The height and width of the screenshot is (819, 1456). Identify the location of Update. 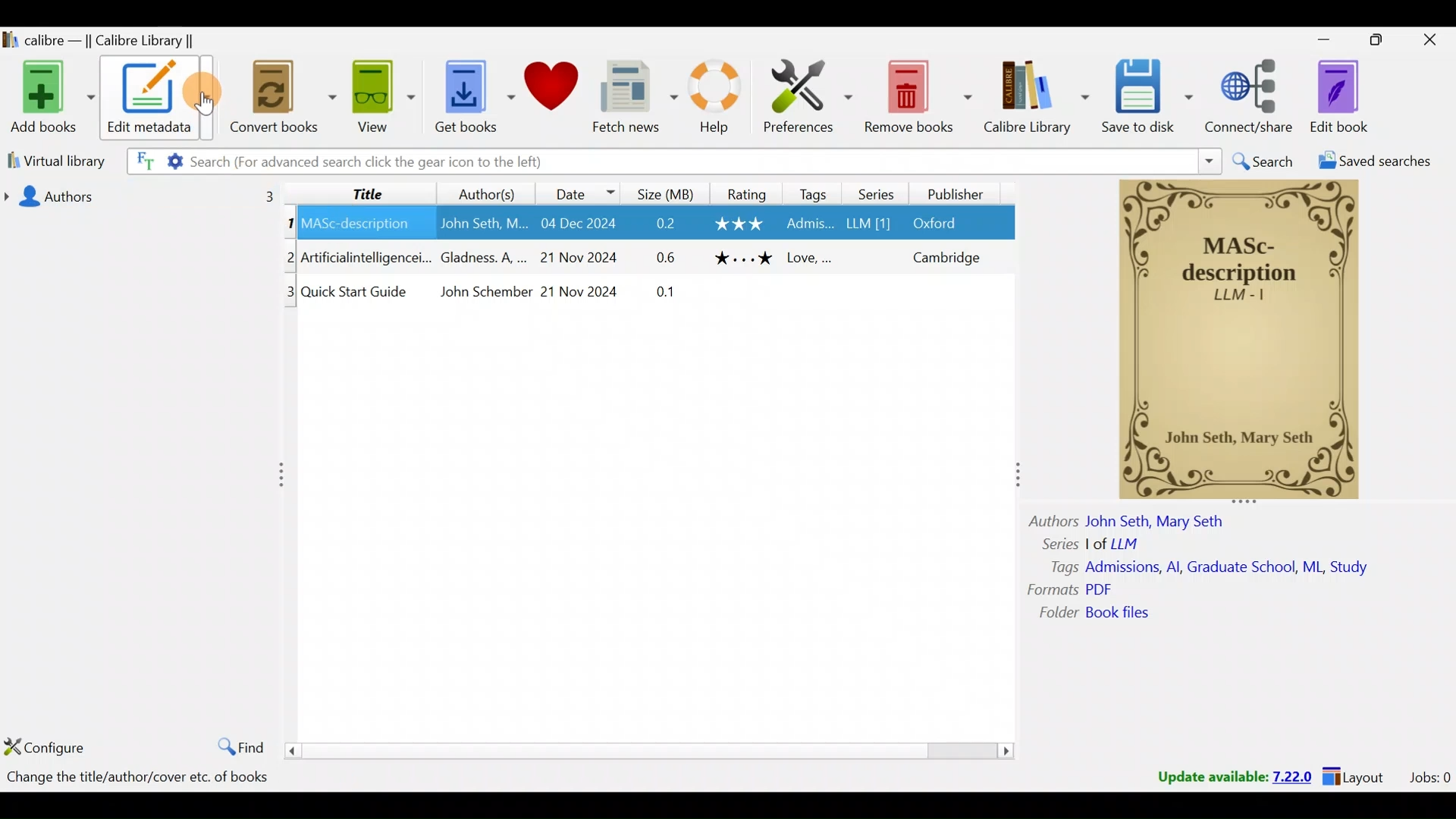
(1232, 776).